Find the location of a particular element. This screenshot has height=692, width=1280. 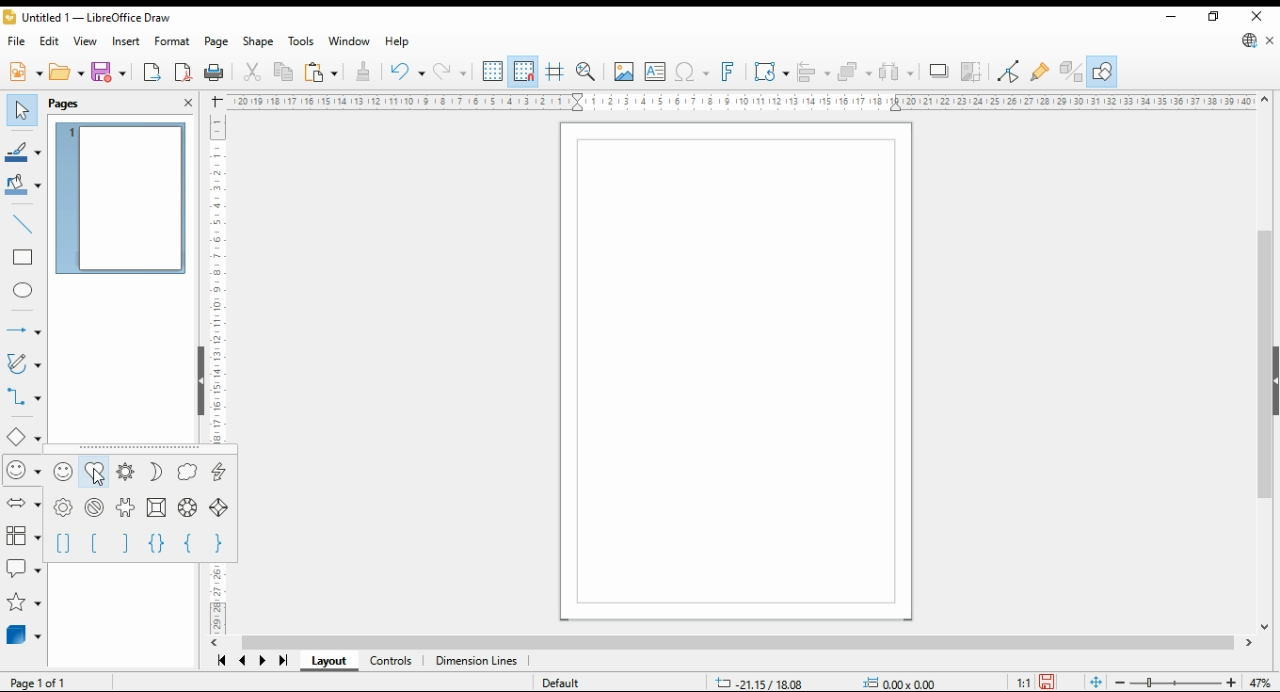

left bracket is located at coordinates (92, 543).